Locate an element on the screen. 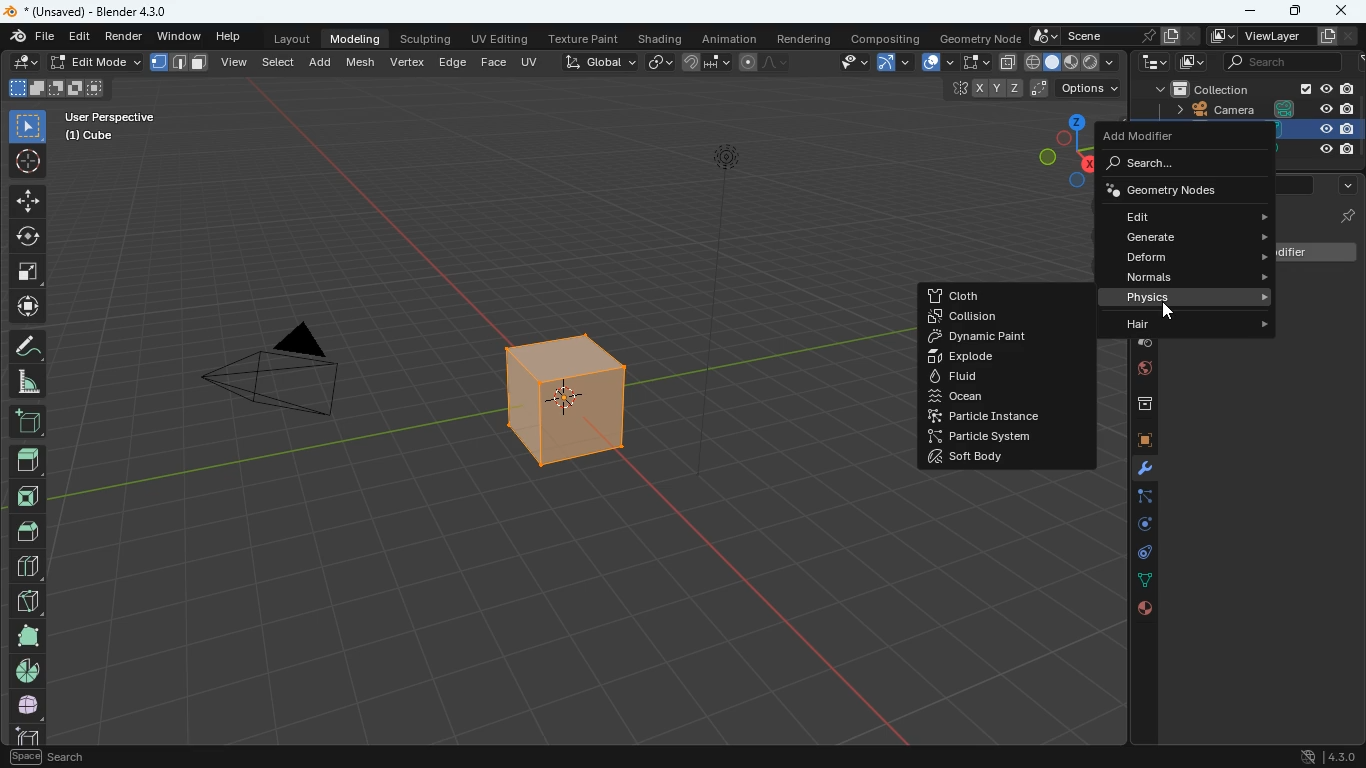 This screenshot has height=768, width=1366. light is located at coordinates (727, 216).